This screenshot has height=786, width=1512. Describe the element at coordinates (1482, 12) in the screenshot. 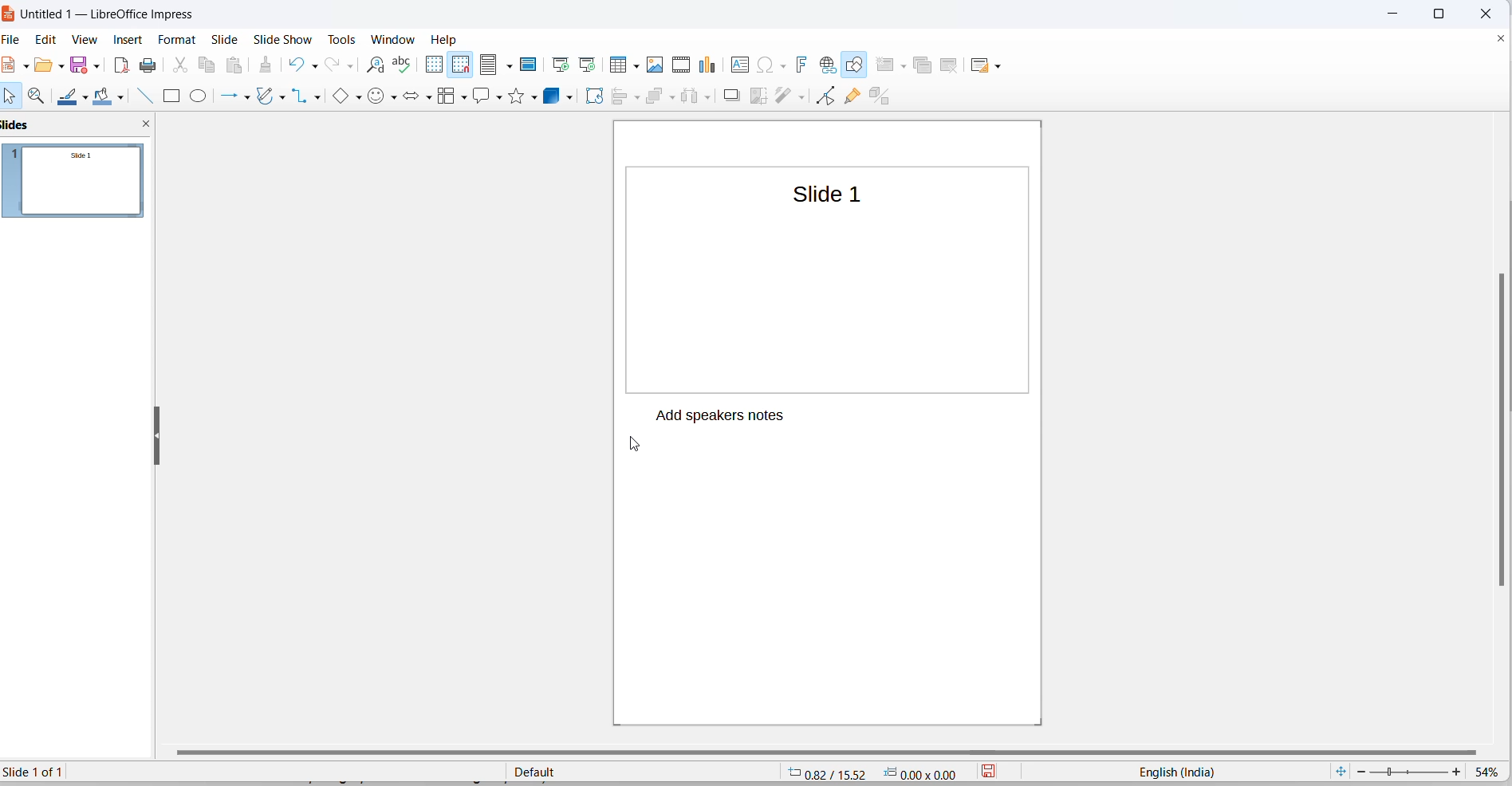

I see `close` at that location.